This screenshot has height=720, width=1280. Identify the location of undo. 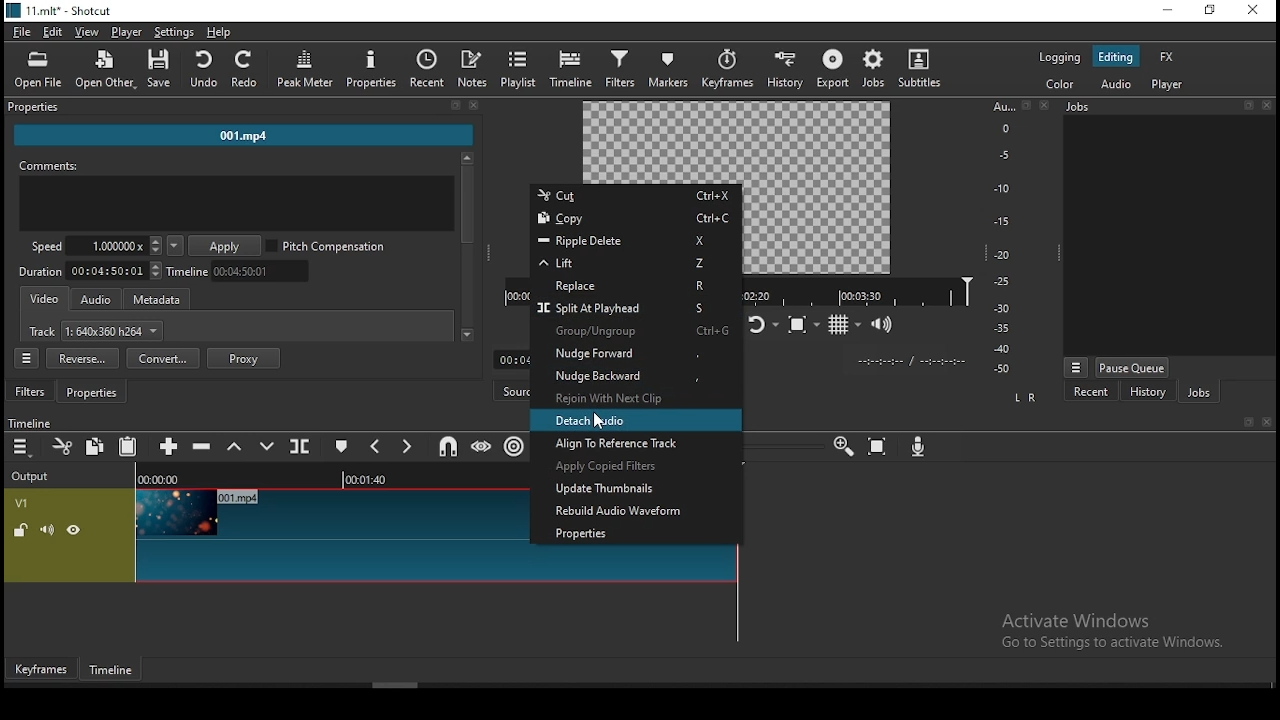
(205, 70).